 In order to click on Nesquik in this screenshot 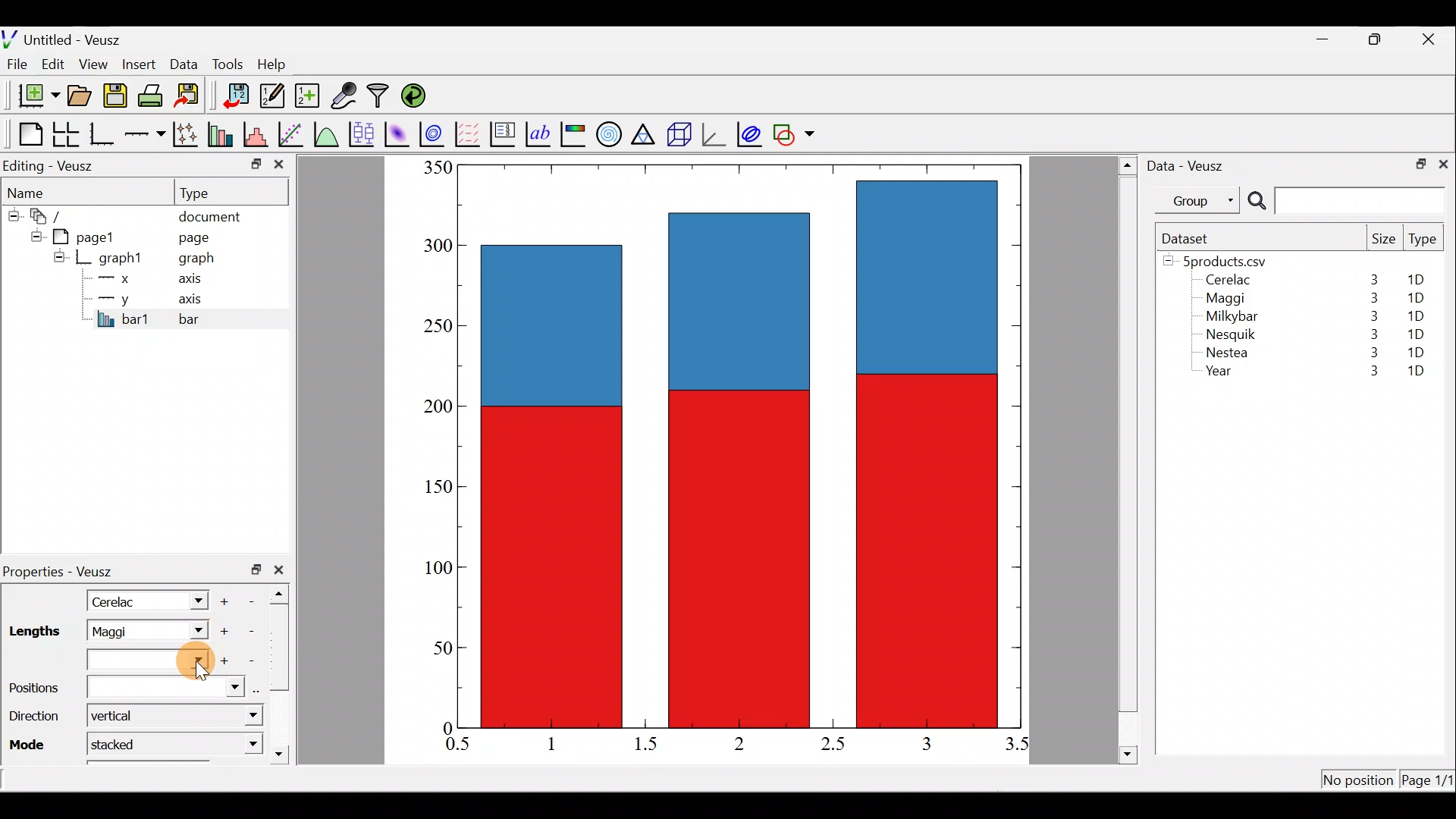, I will do `click(1228, 334)`.